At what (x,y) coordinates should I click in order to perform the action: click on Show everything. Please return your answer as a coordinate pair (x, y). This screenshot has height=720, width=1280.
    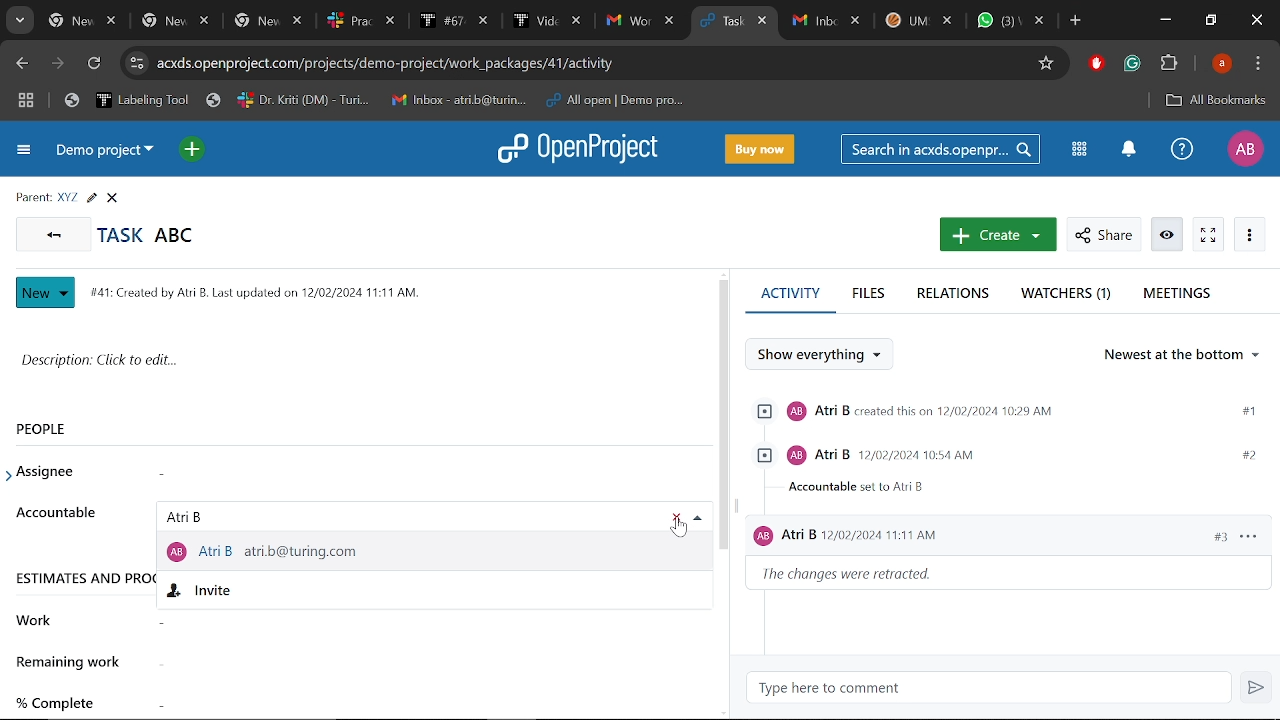
    Looking at the image, I should click on (828, 355).